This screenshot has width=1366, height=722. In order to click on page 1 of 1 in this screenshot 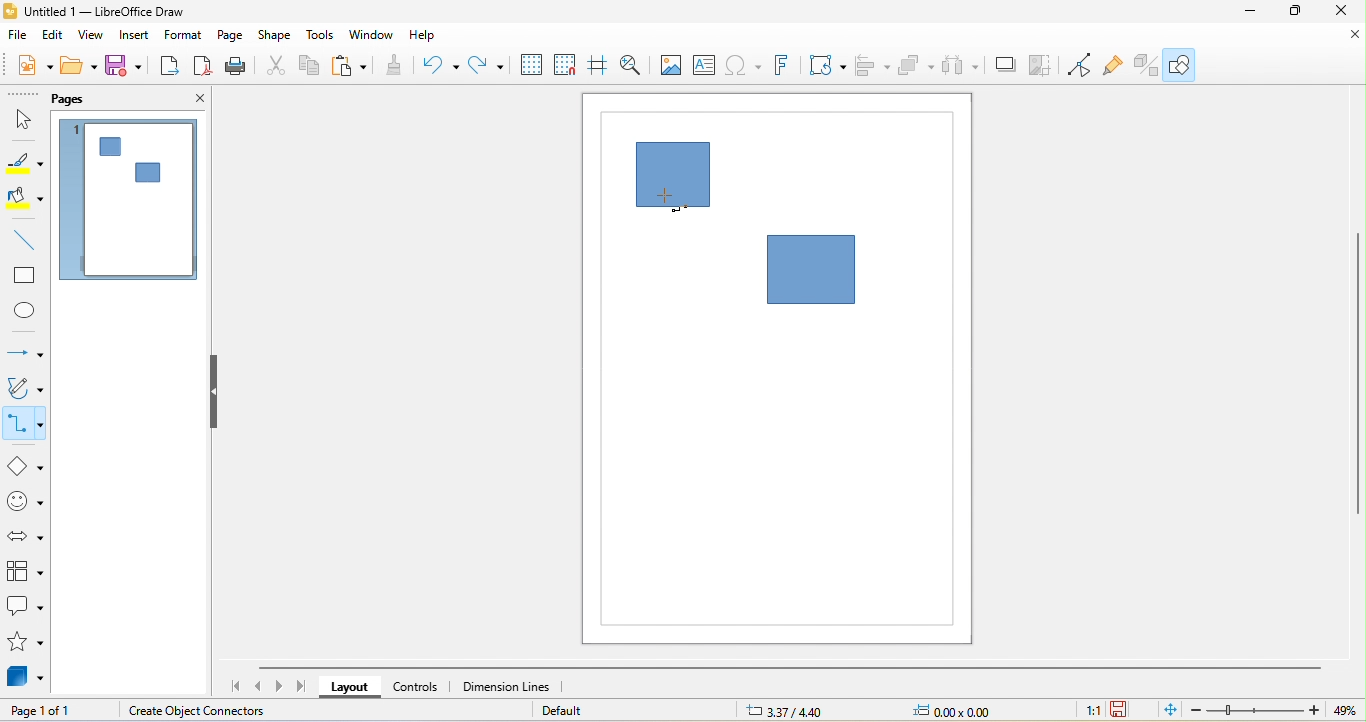, I will do `click(54, 709)`.